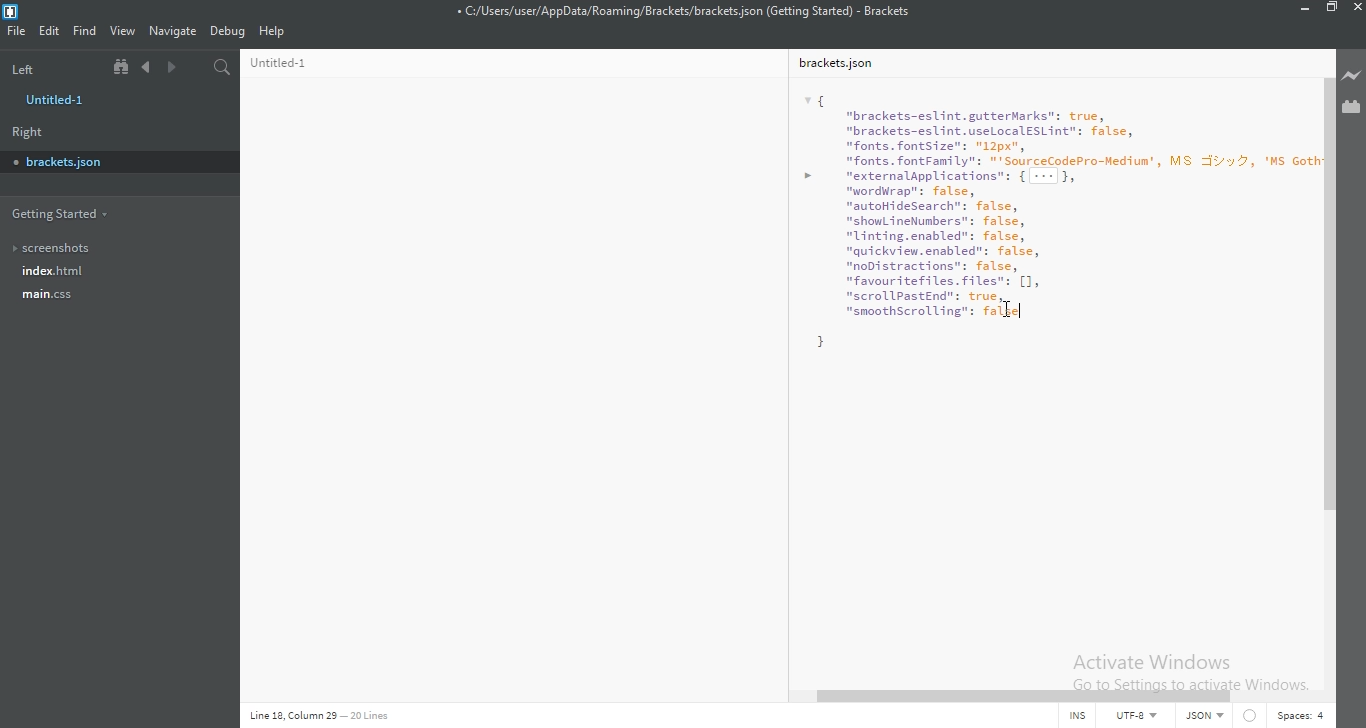 This screenshot has height=728, width=1366. What do you see at coordinates (1056, 367) in the screenshot?
I see `Untitled-1` at bounding box center [1056, 367].